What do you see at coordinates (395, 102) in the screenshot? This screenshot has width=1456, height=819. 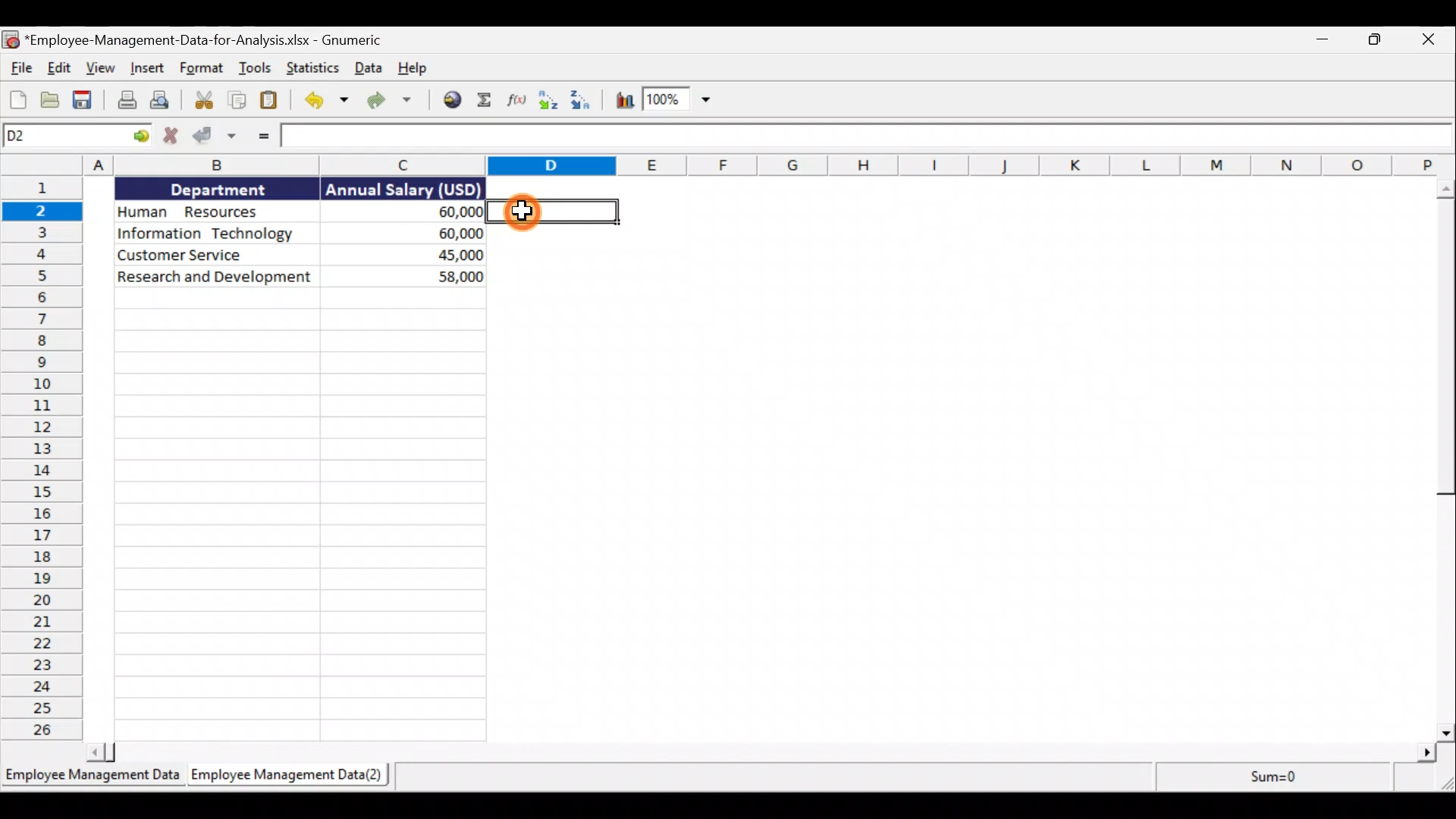 I see `Redo the undone action` at bounding box center [395, 102].